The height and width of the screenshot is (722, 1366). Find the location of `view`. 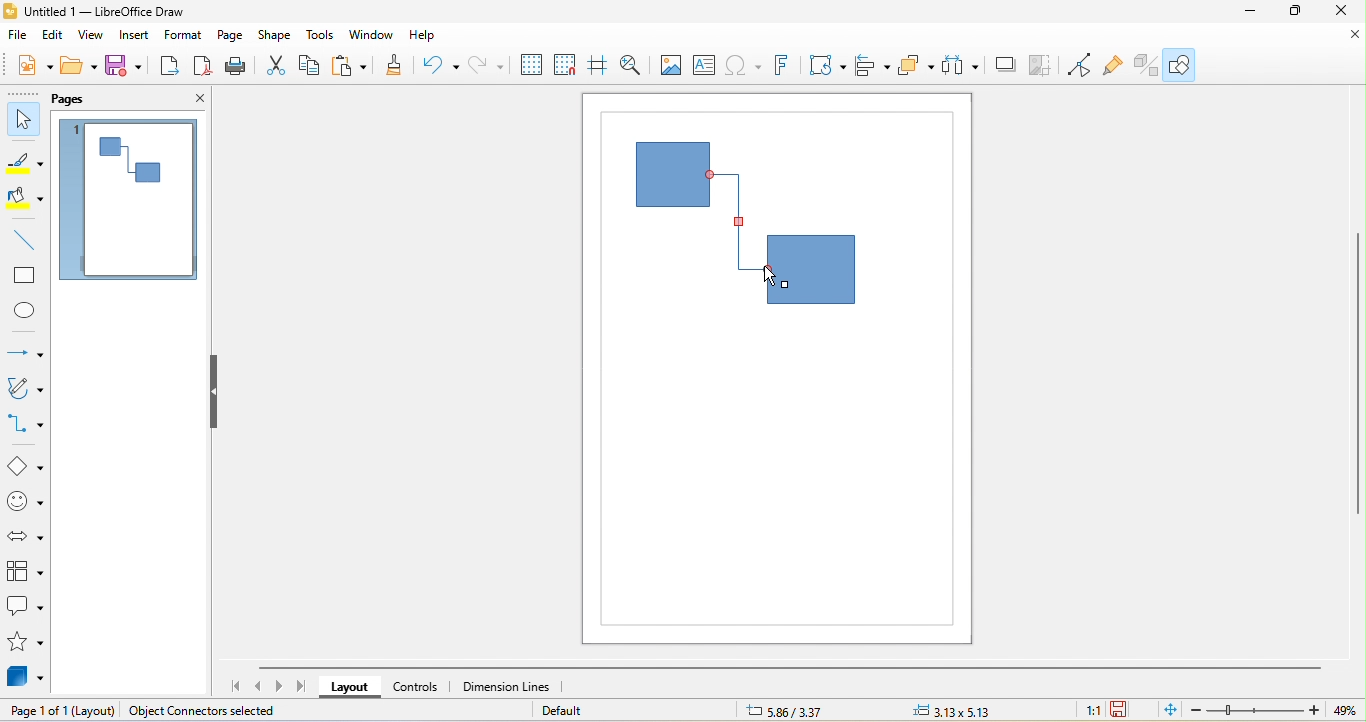

view is located at coordinates (92, 36).